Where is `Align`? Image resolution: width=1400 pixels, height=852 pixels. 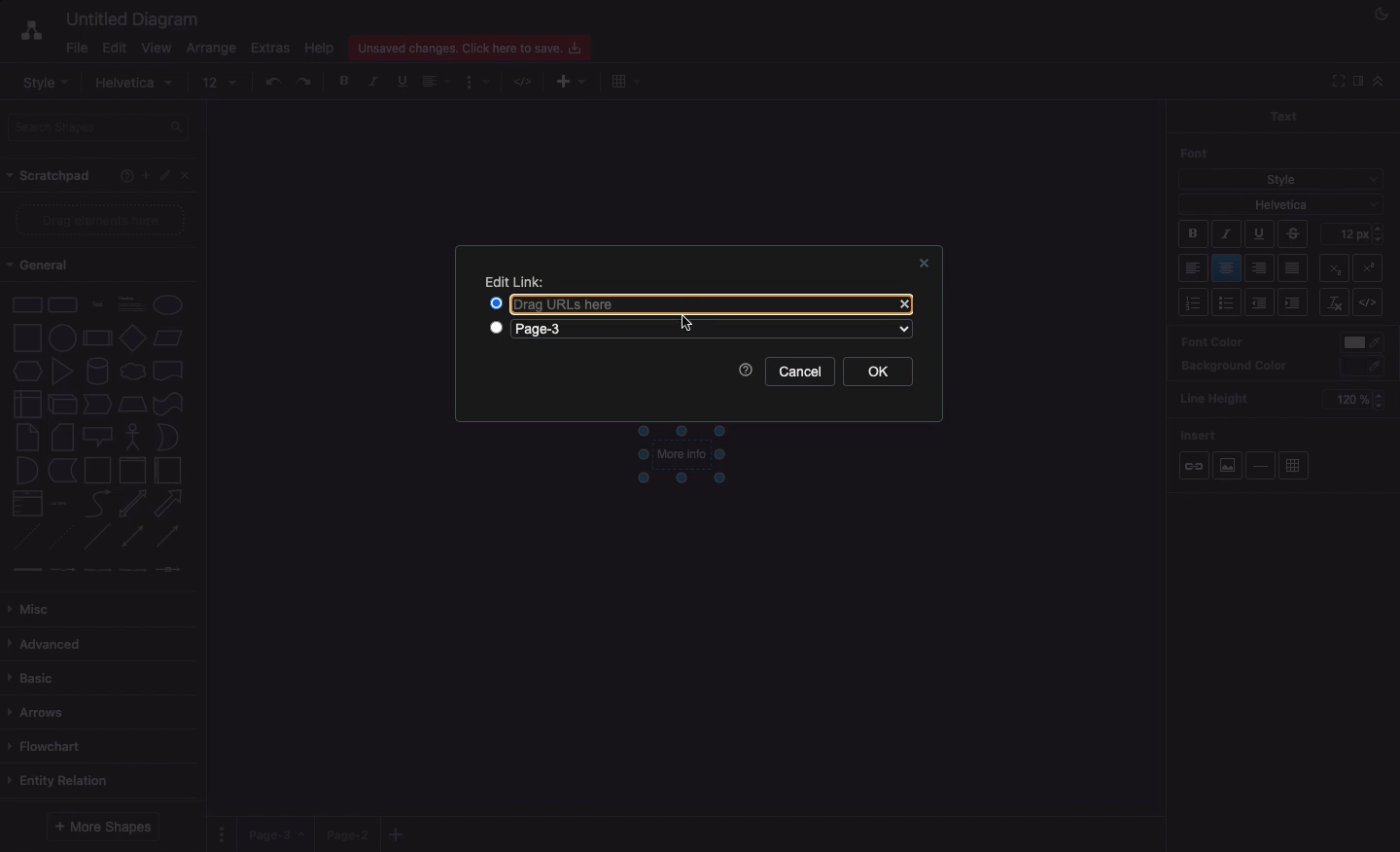
Align is located at coordinates (438, 84).